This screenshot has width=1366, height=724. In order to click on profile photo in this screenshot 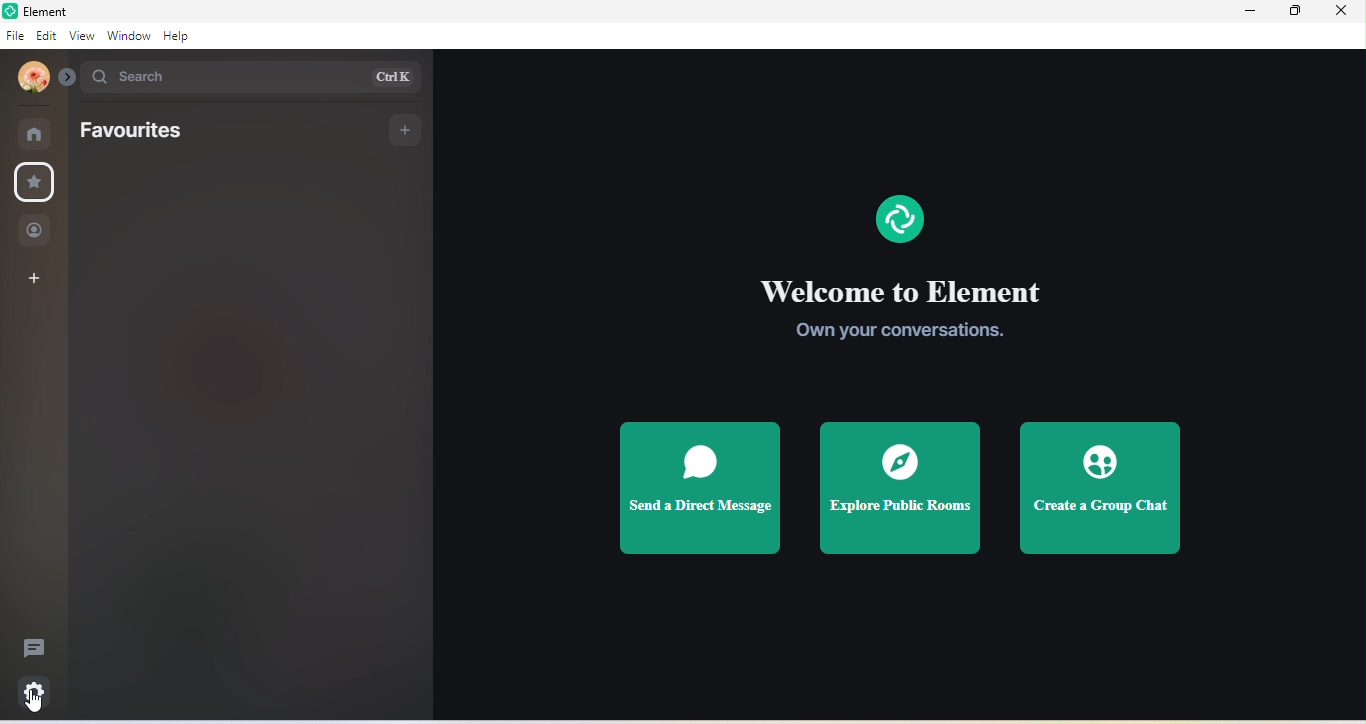, I will do `click(29, 79)`.